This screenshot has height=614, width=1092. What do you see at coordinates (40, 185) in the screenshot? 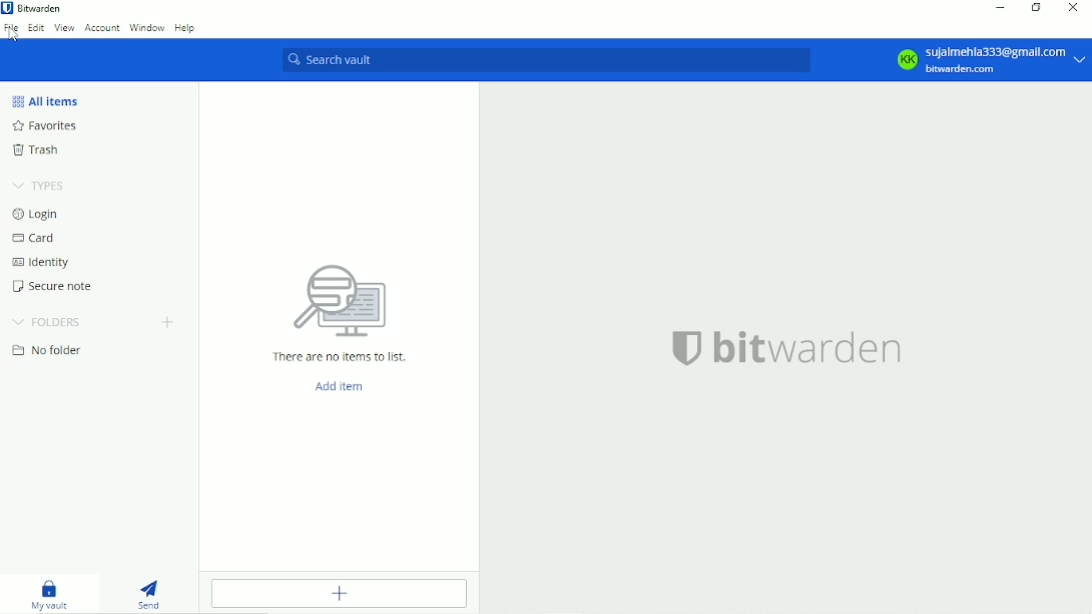
I see `Types` at bounding box center [40, 185].